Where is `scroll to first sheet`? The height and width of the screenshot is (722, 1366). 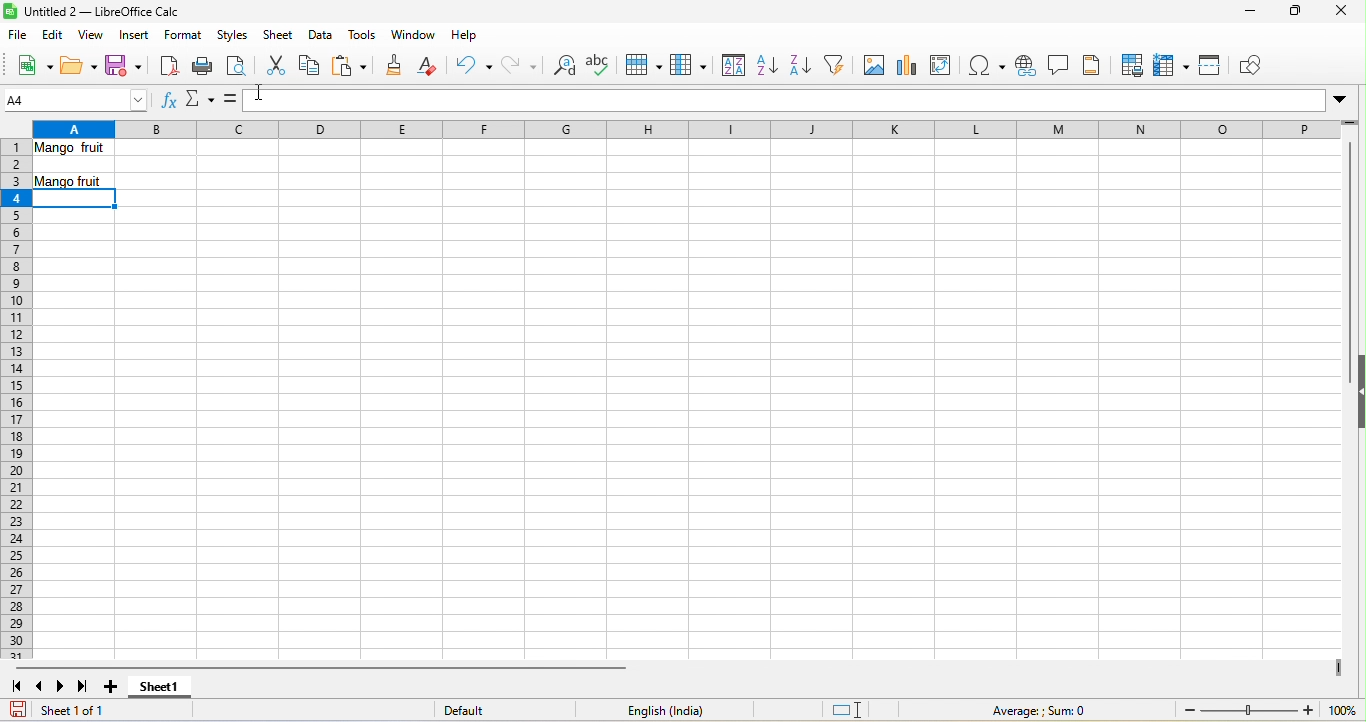 scroll to first sheet is located at coordinates (18, 688).